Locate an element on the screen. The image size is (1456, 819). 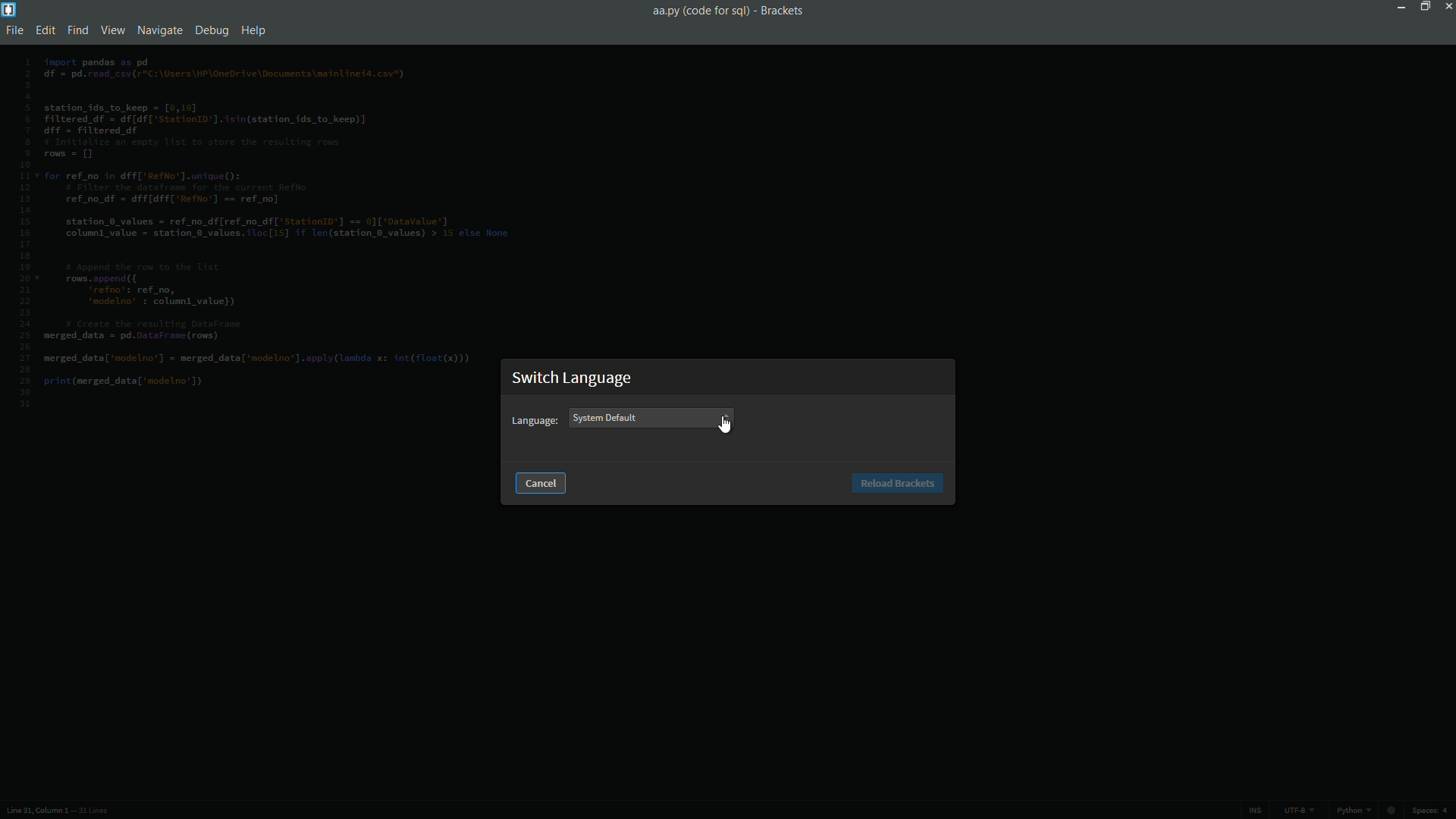
line numbers is located at coordinates (24, 233).